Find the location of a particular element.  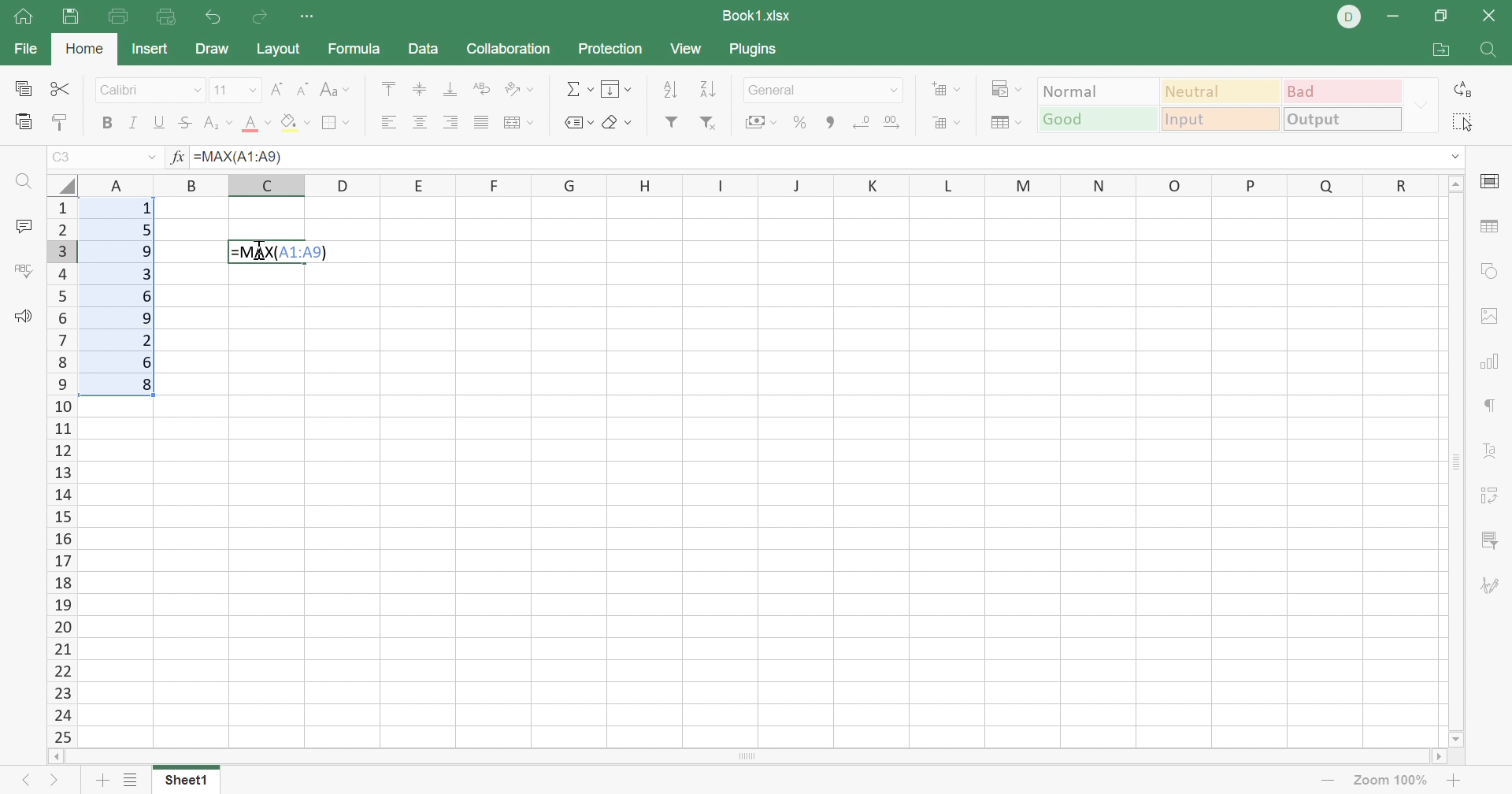

Fill is located at coordinates (617, 87).